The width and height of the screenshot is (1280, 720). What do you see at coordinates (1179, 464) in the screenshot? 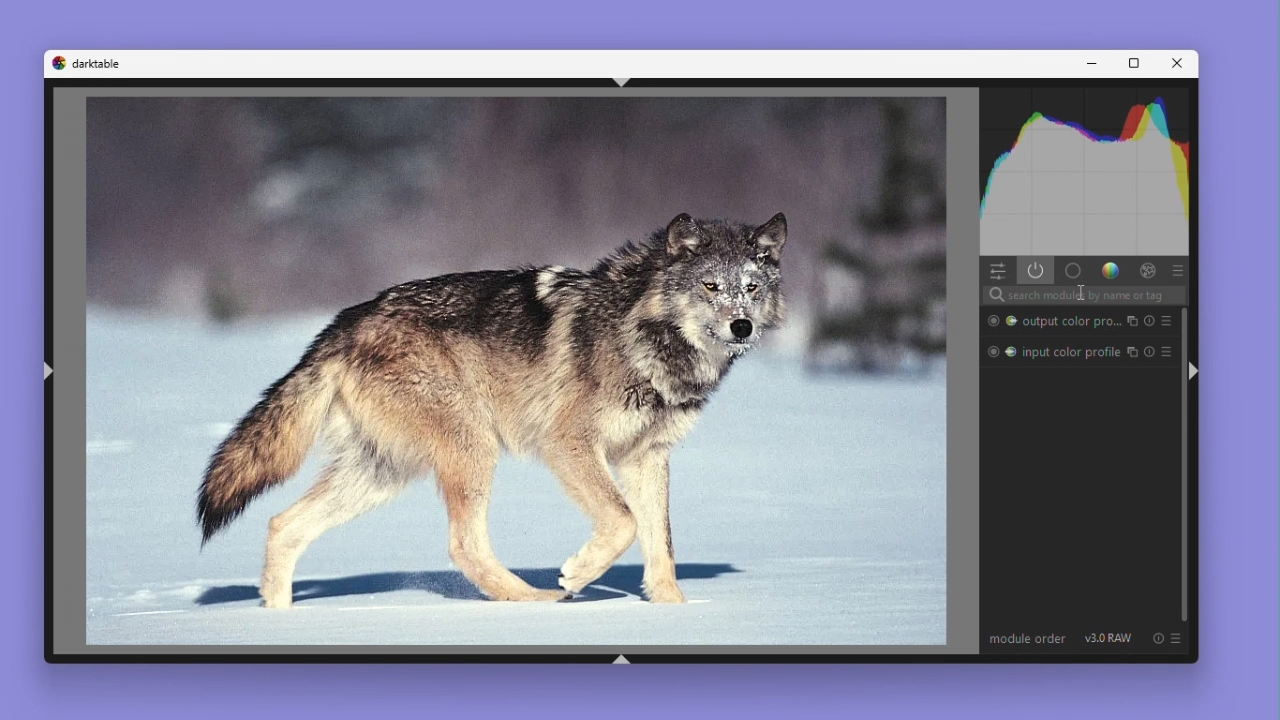
I see `Vertical scroll bar` at bounding box center [1179, 464].